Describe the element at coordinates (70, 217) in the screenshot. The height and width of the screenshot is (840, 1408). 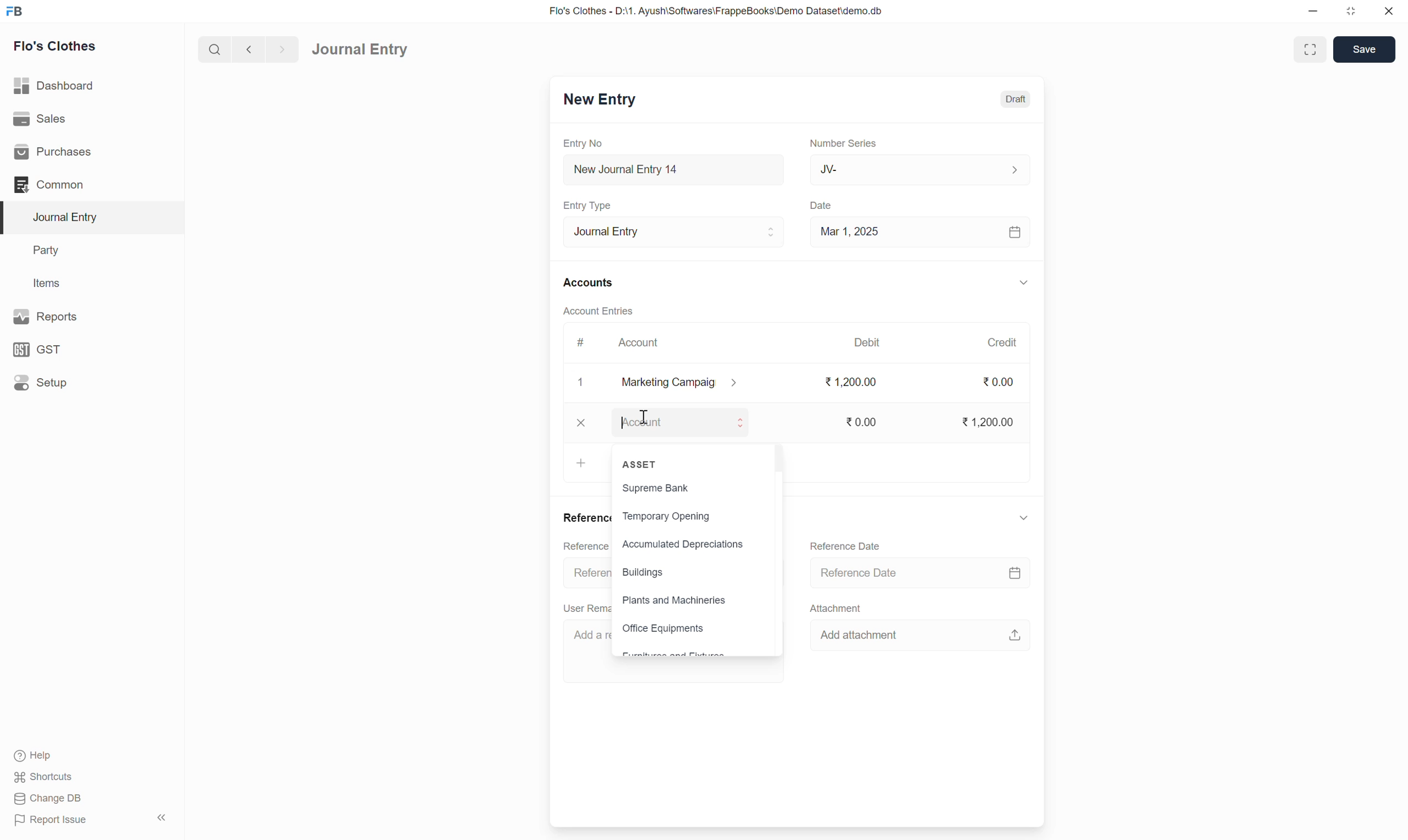
I see `Journal Entry` at that location.